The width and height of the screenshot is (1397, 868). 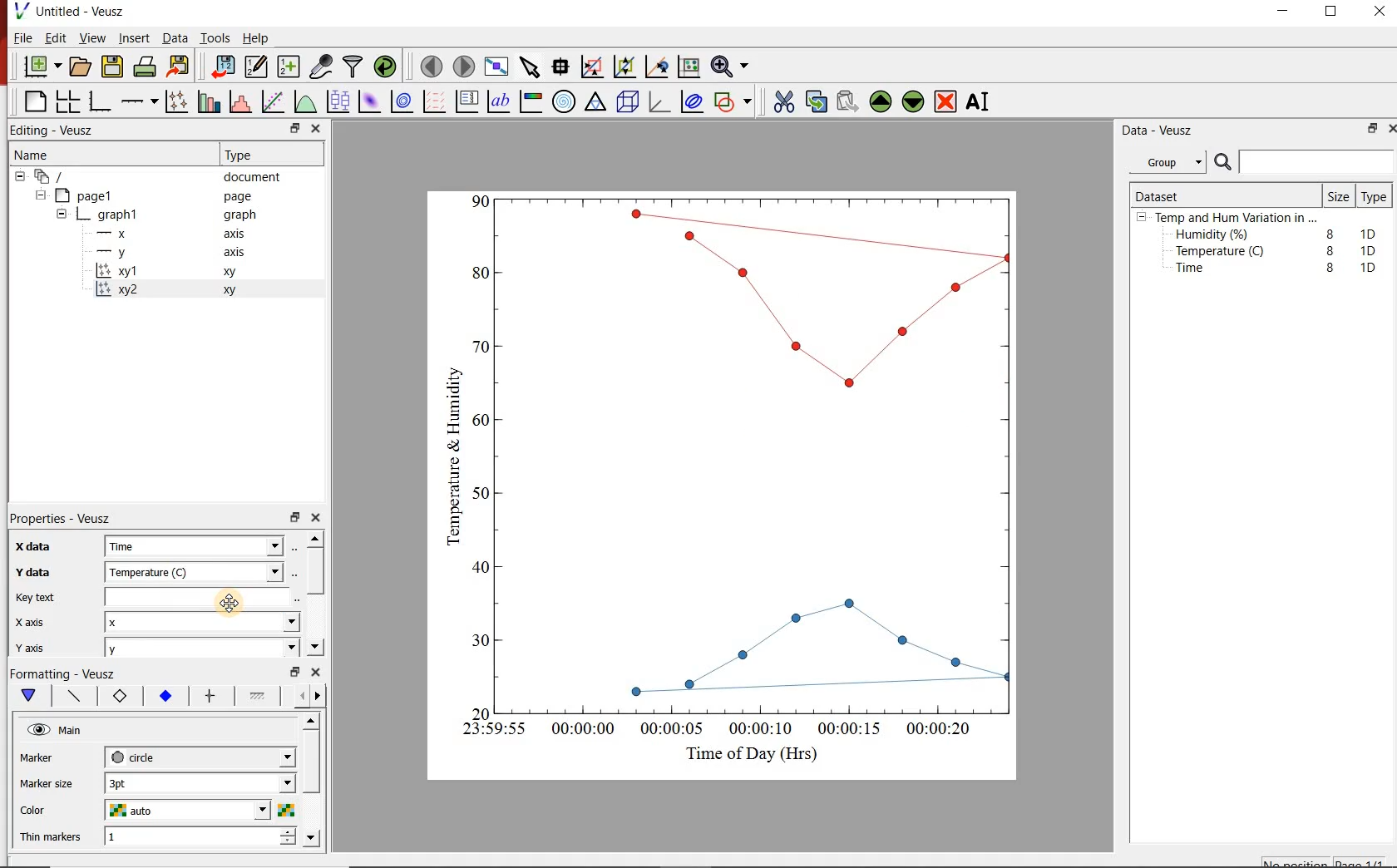 What do you see at coordinates (562, 67) in the screenshot?
I see `Read data points on the graph` at bounding box center [562, 67].